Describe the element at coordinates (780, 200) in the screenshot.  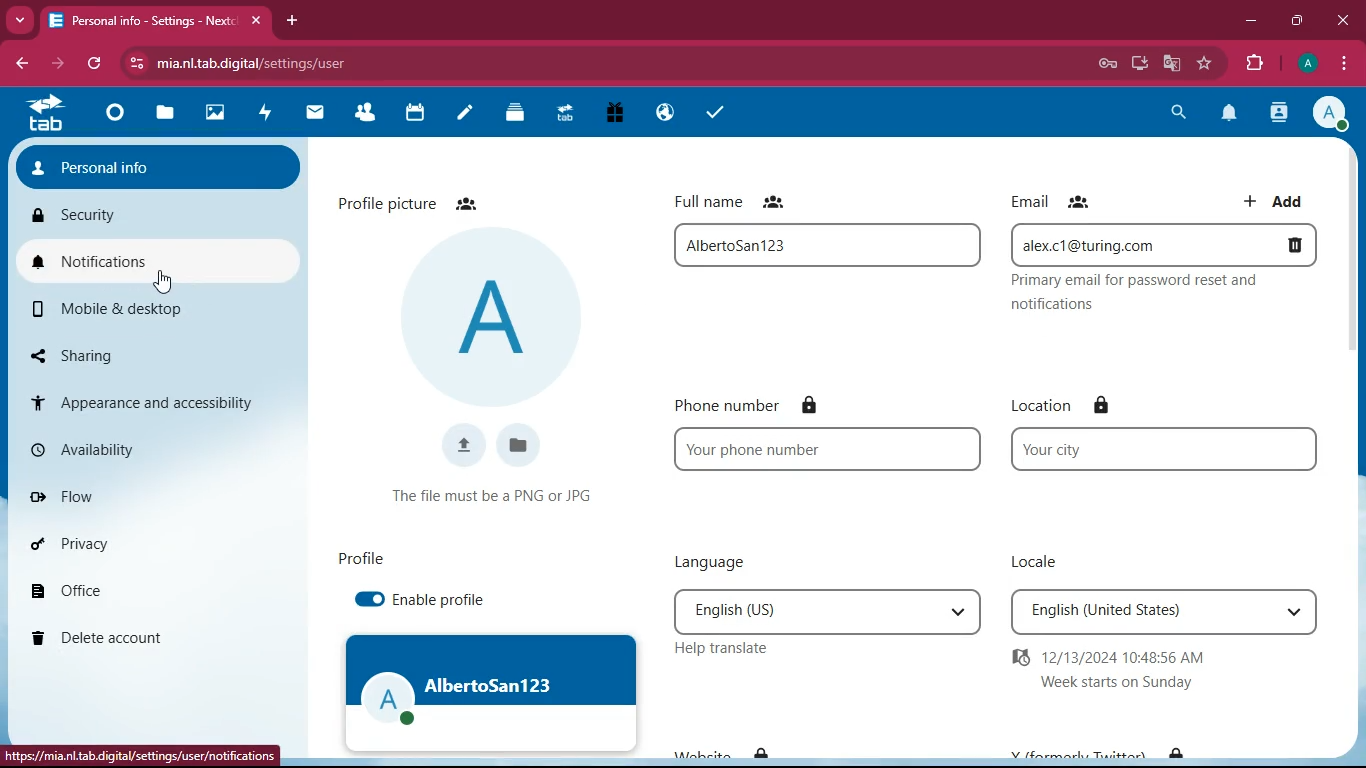
I see `Friends` at that location.